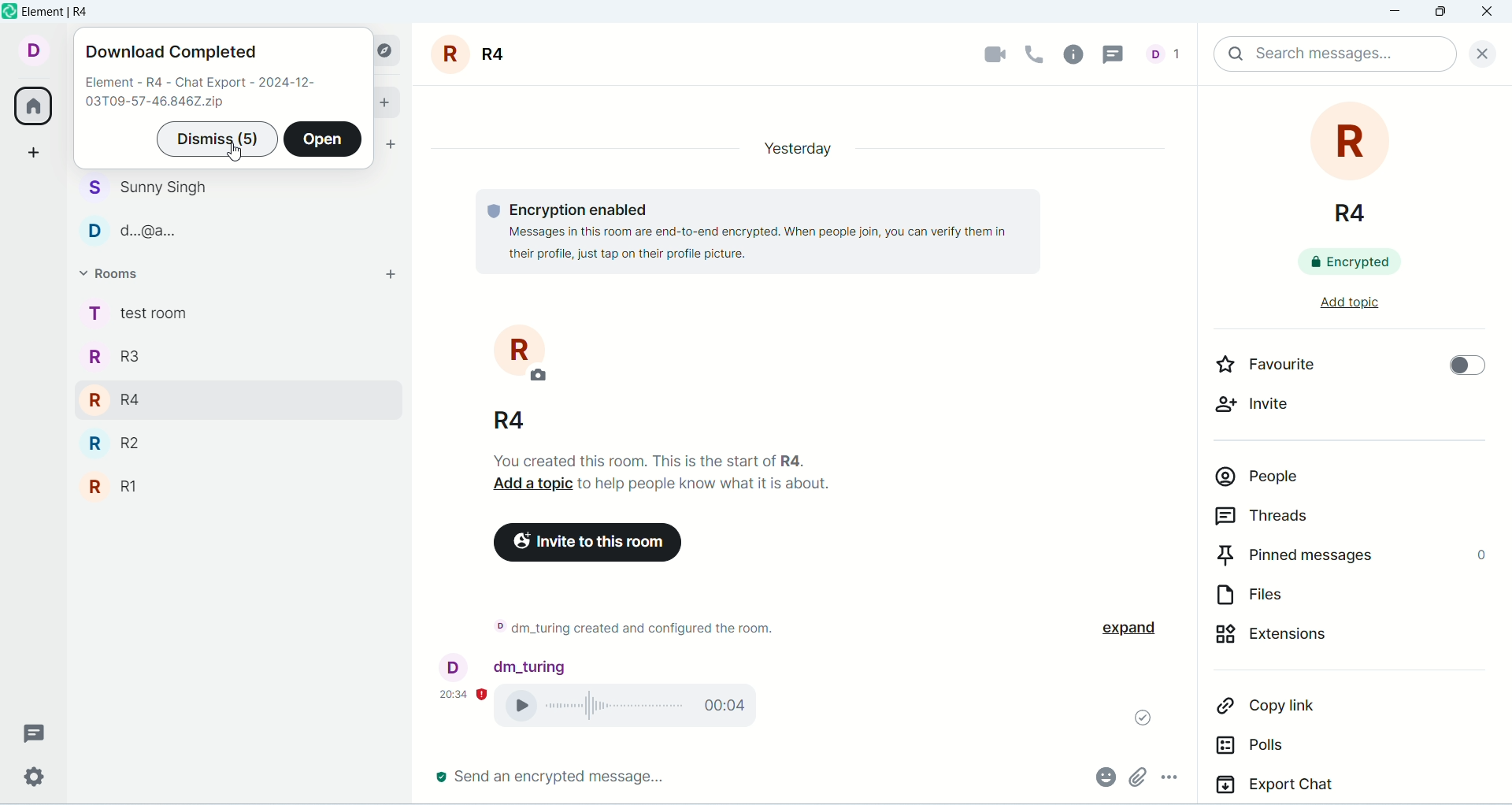 This screenshot has width=1512, height=805. I want to click on cursor, so click(238, 156).